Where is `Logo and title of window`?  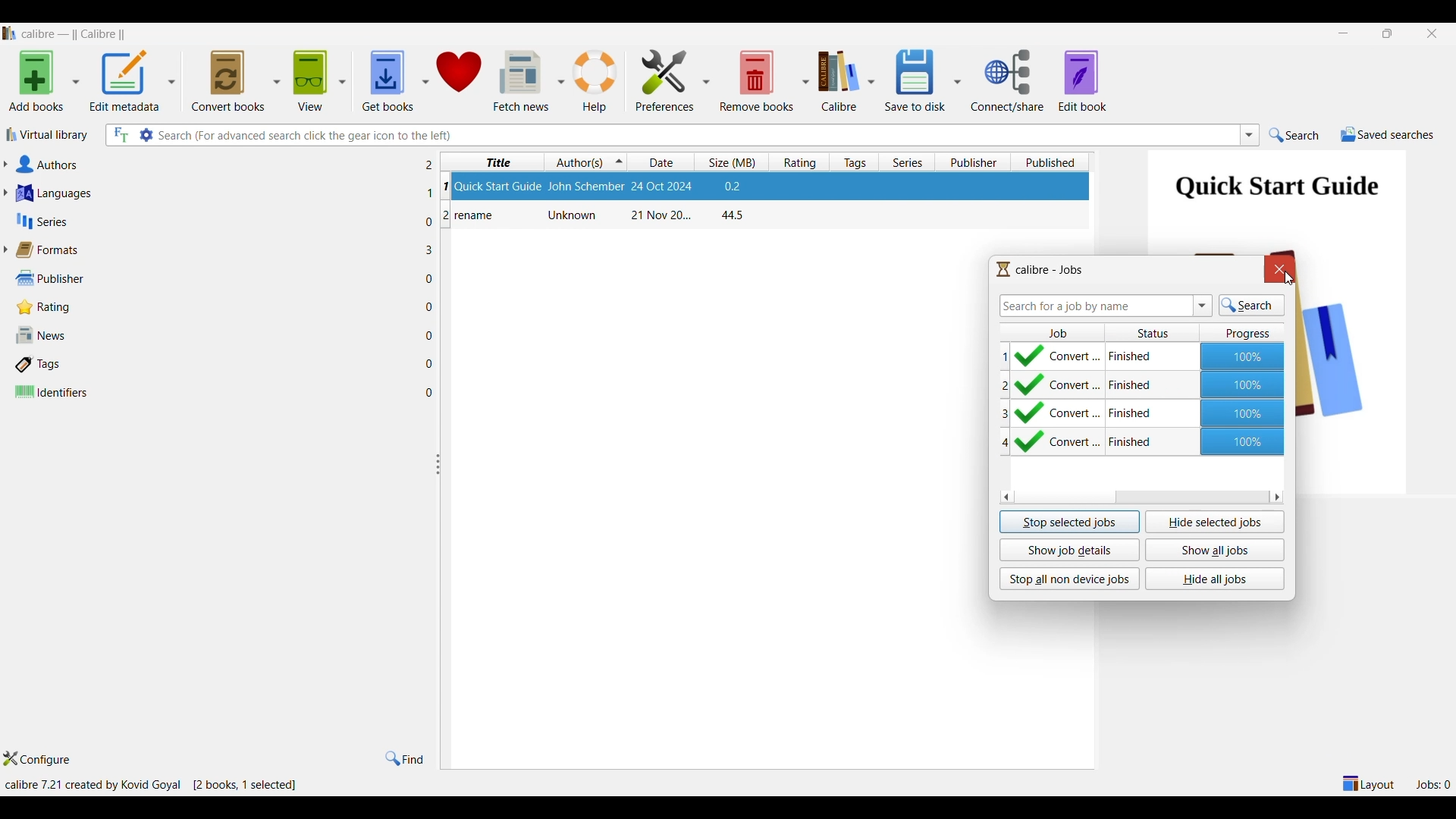 Logo and title of window is located at coordinates (1040, 269).